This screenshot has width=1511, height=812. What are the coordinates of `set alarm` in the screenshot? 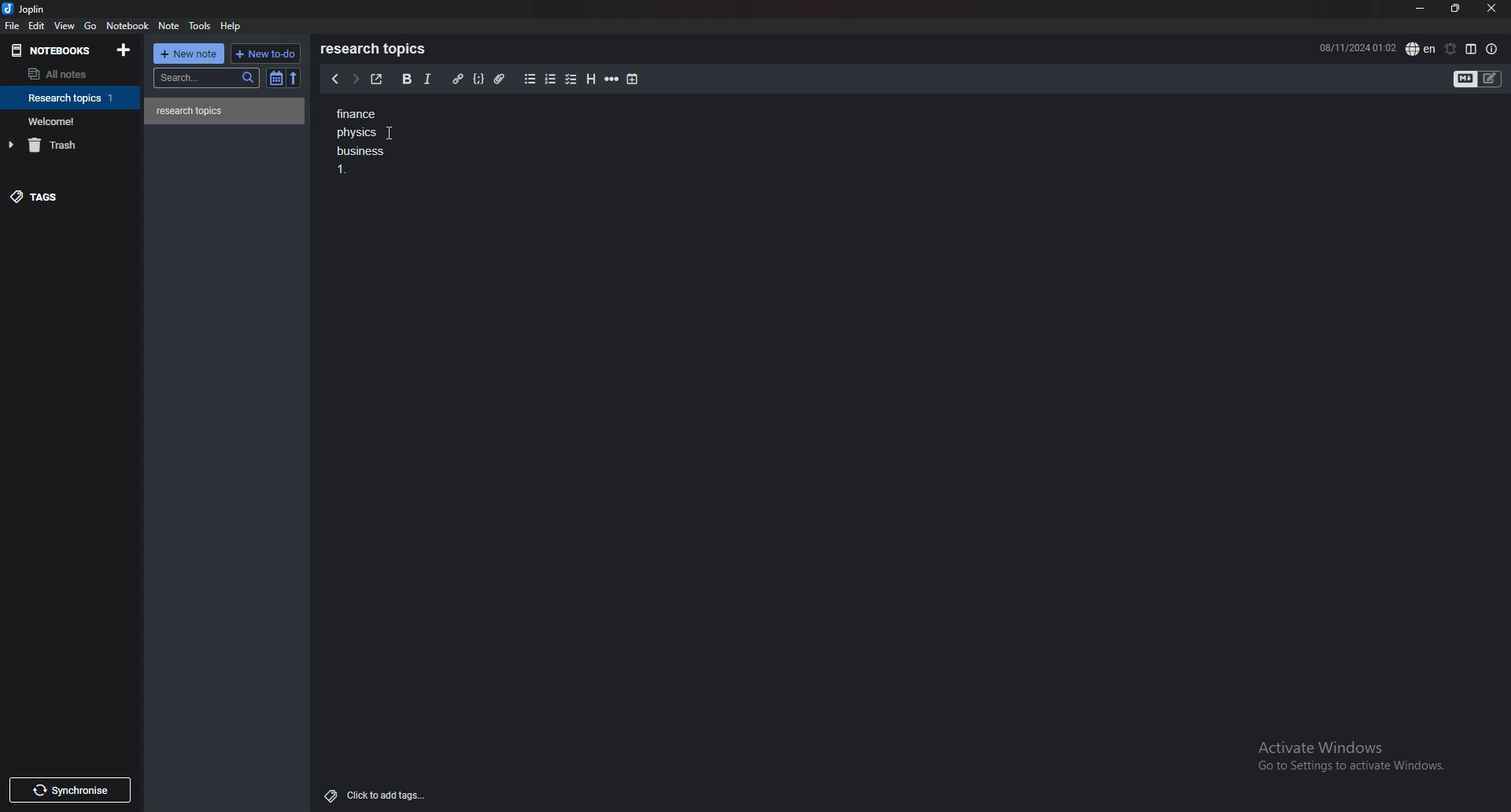 It's located at (1449, 49).